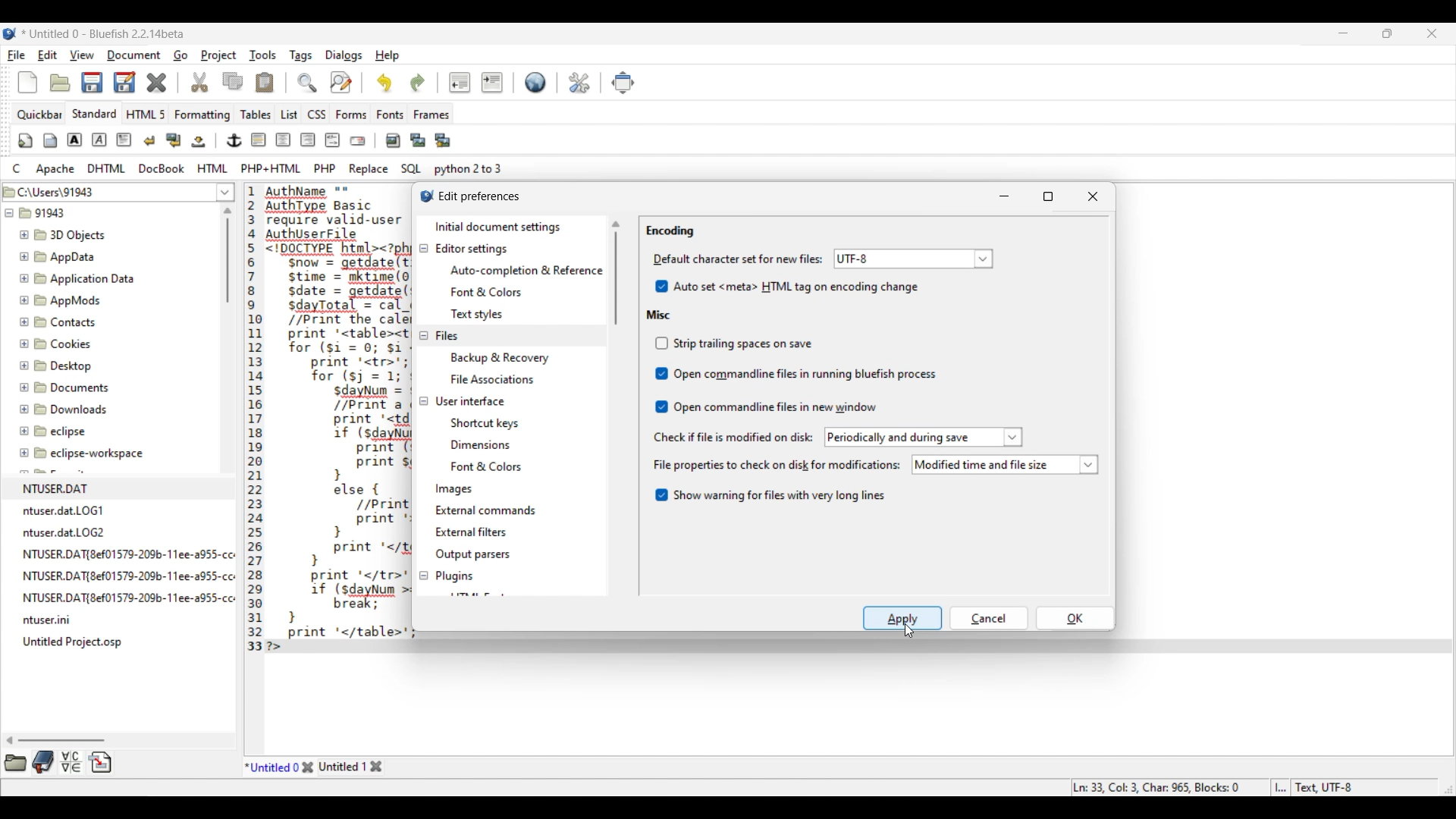 This screenshot has width=1456, height=819. Describe the element at coordinates (670, 231) in the screenshot. I see `Encoding section` at that location.